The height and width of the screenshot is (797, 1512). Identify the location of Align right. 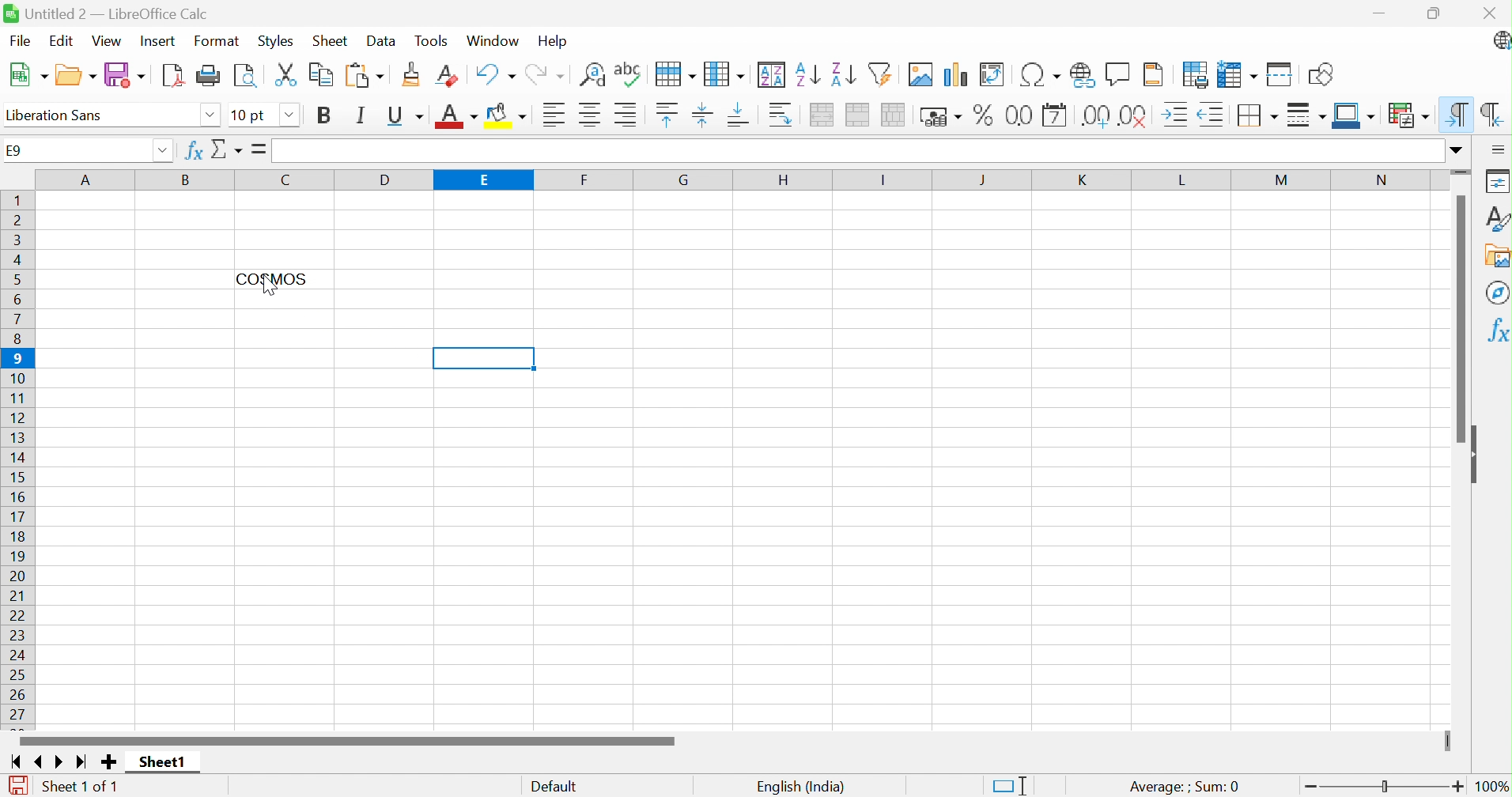
(556, 114).